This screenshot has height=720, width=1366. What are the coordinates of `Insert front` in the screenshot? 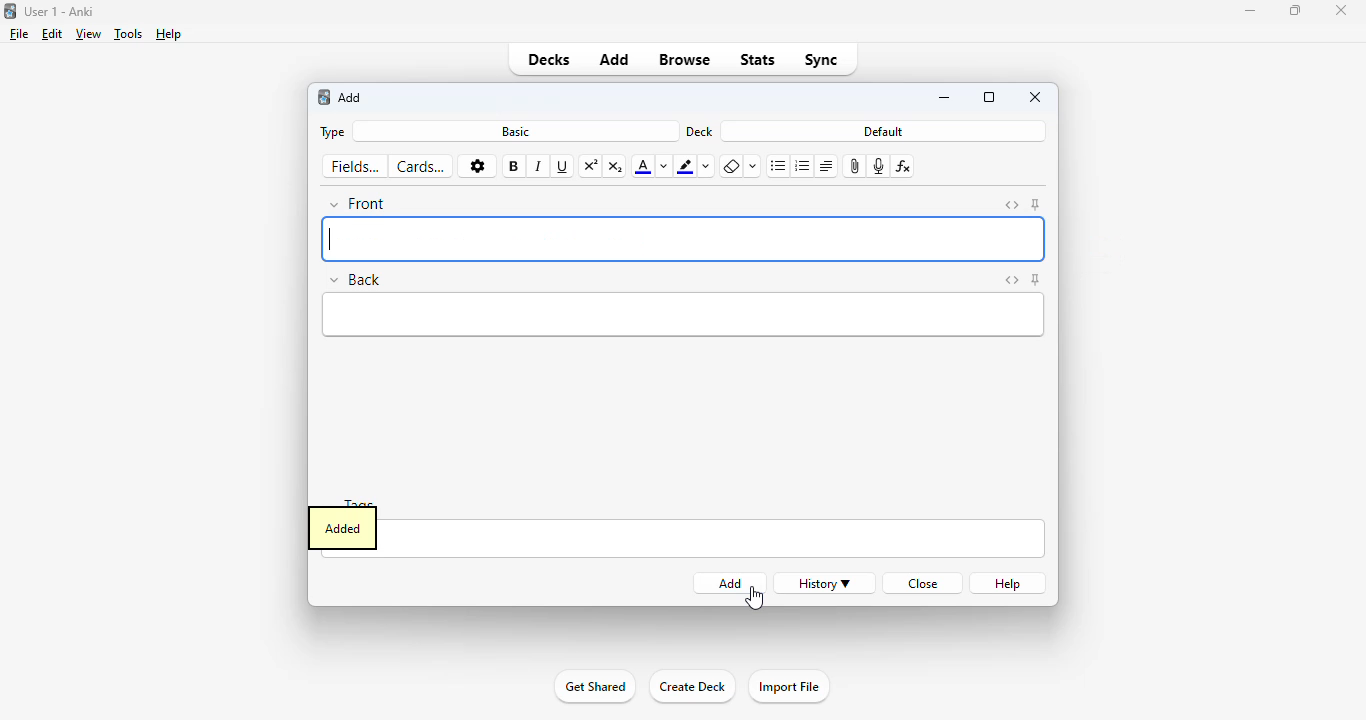 It's located at (683, 239).